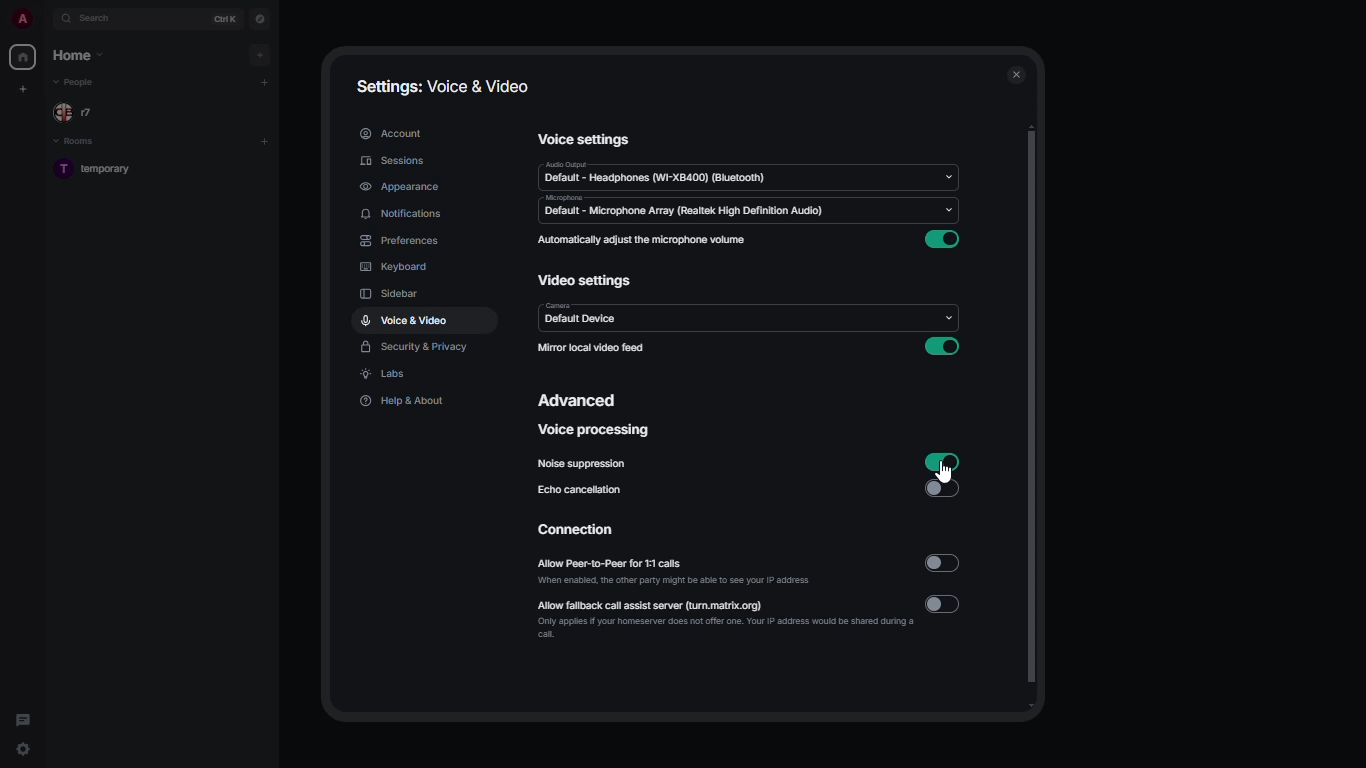  I want to click on microphone default, so click(682, 207).